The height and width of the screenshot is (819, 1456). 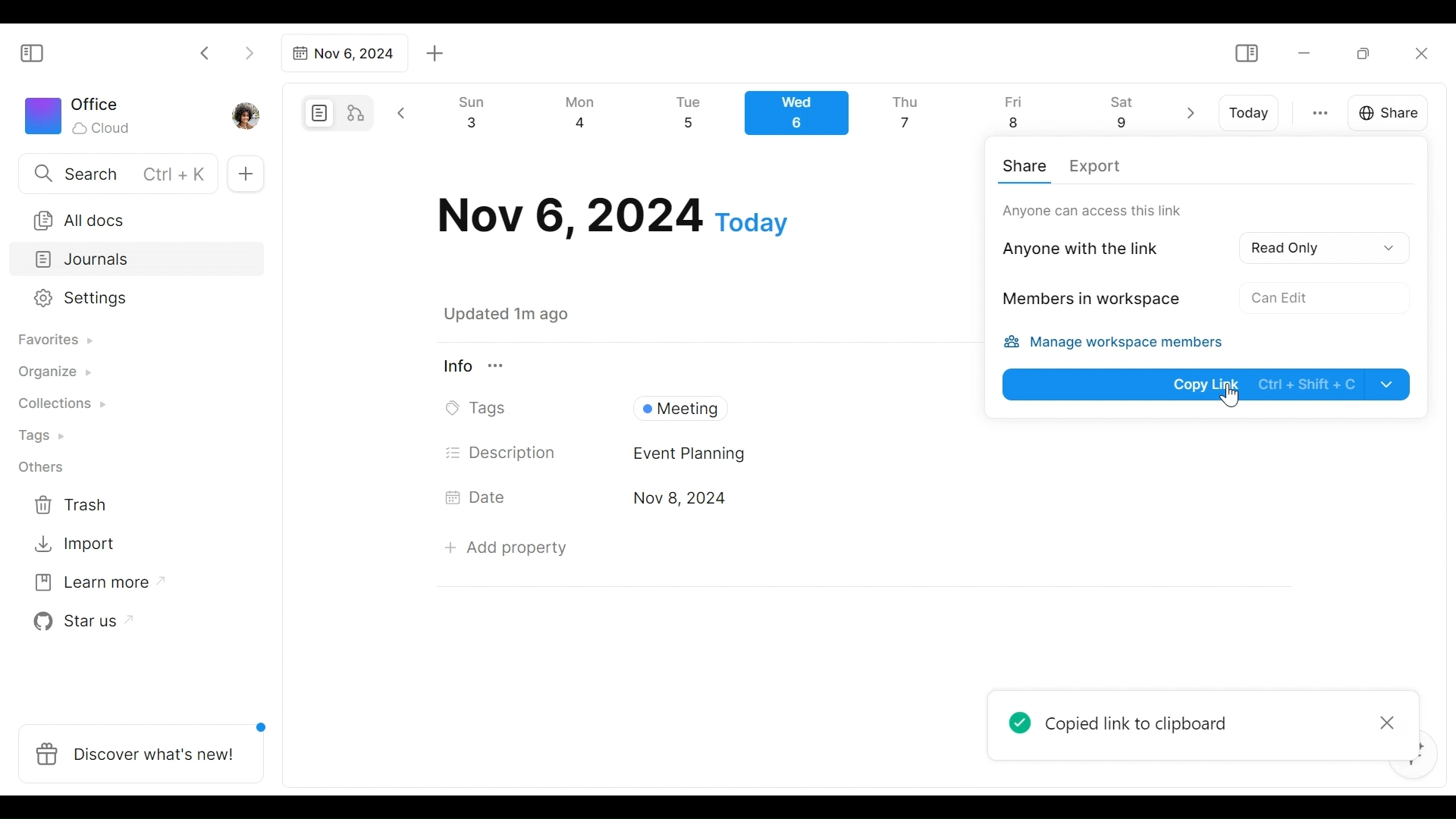 I want to click on Members in workspace, so click(x=1087, y=301).